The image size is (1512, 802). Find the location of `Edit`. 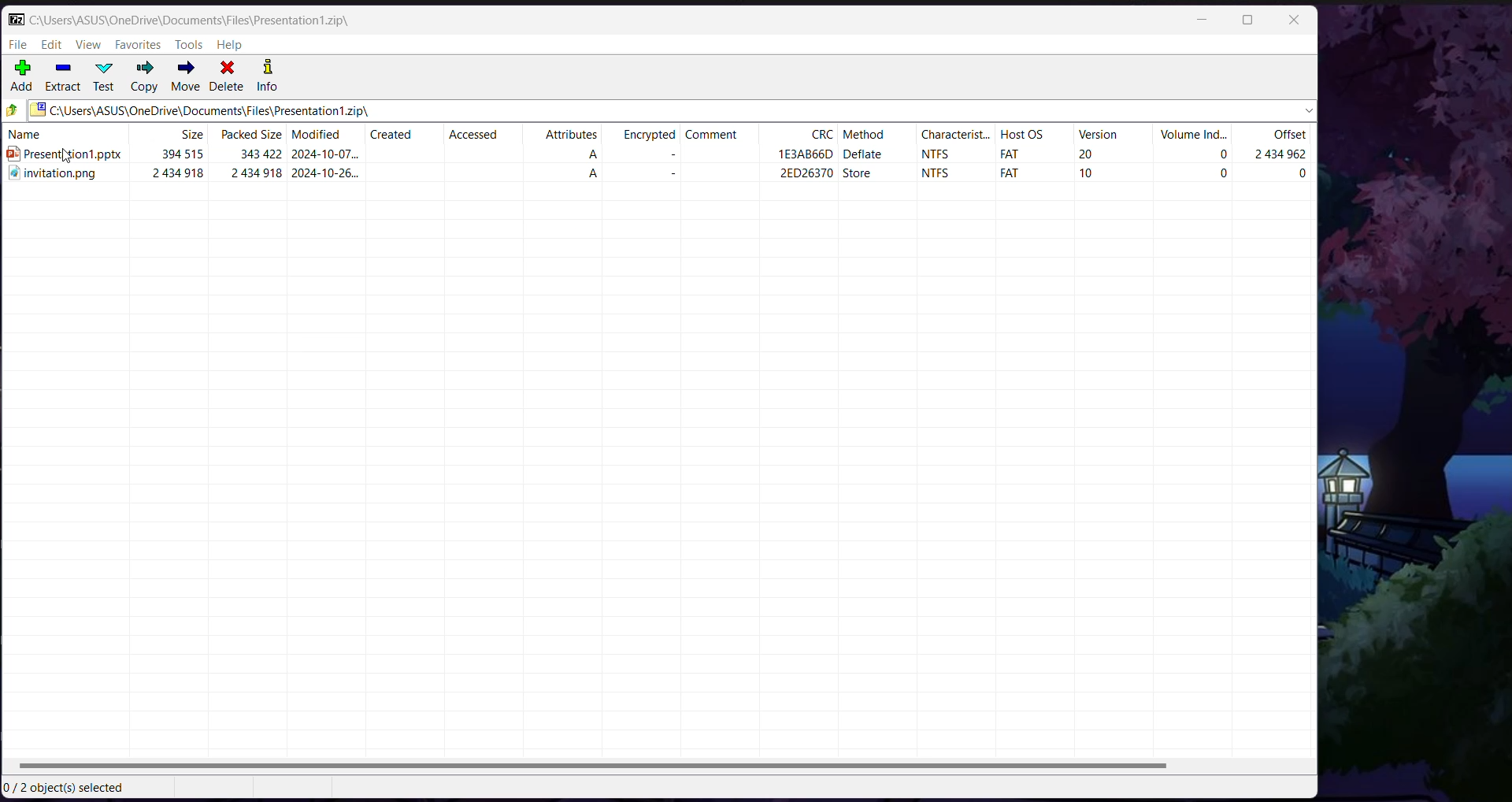

Edit is located at coordinates (53, 45).